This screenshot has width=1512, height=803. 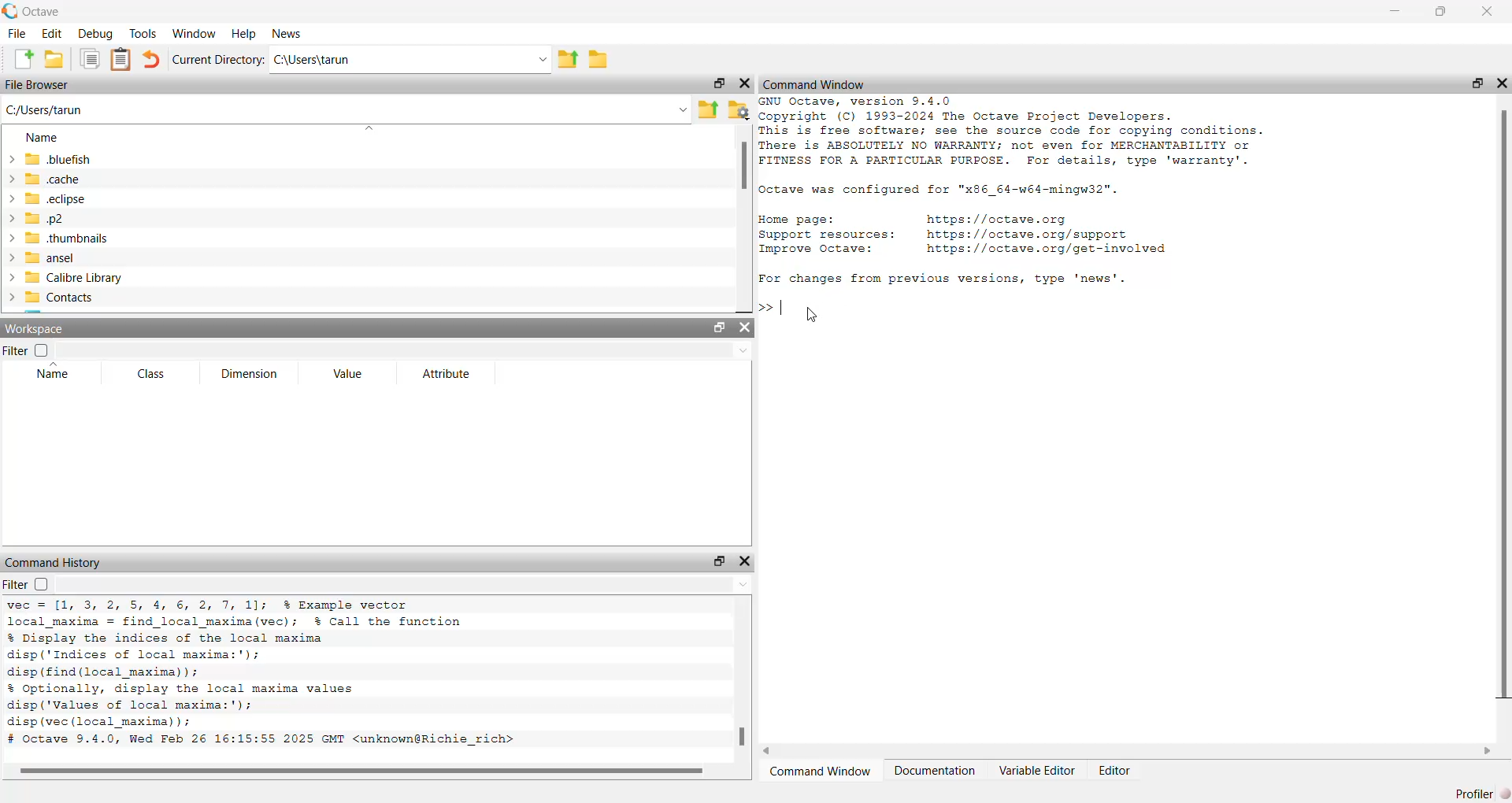 I want to click on Current Directory:, so click(x=219, y=60).